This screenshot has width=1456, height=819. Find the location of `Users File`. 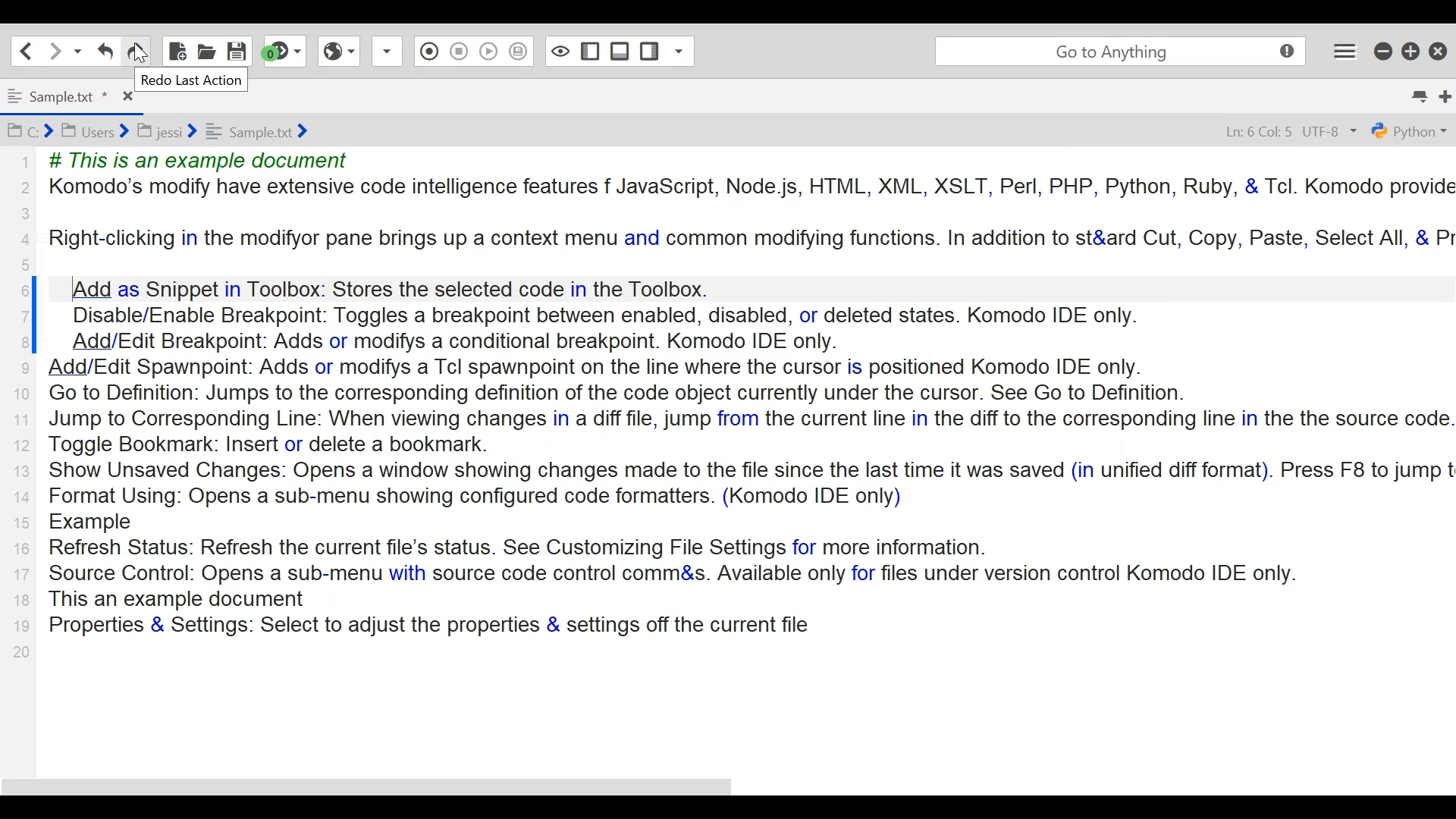

Users File is located at coordinates (95, 130).